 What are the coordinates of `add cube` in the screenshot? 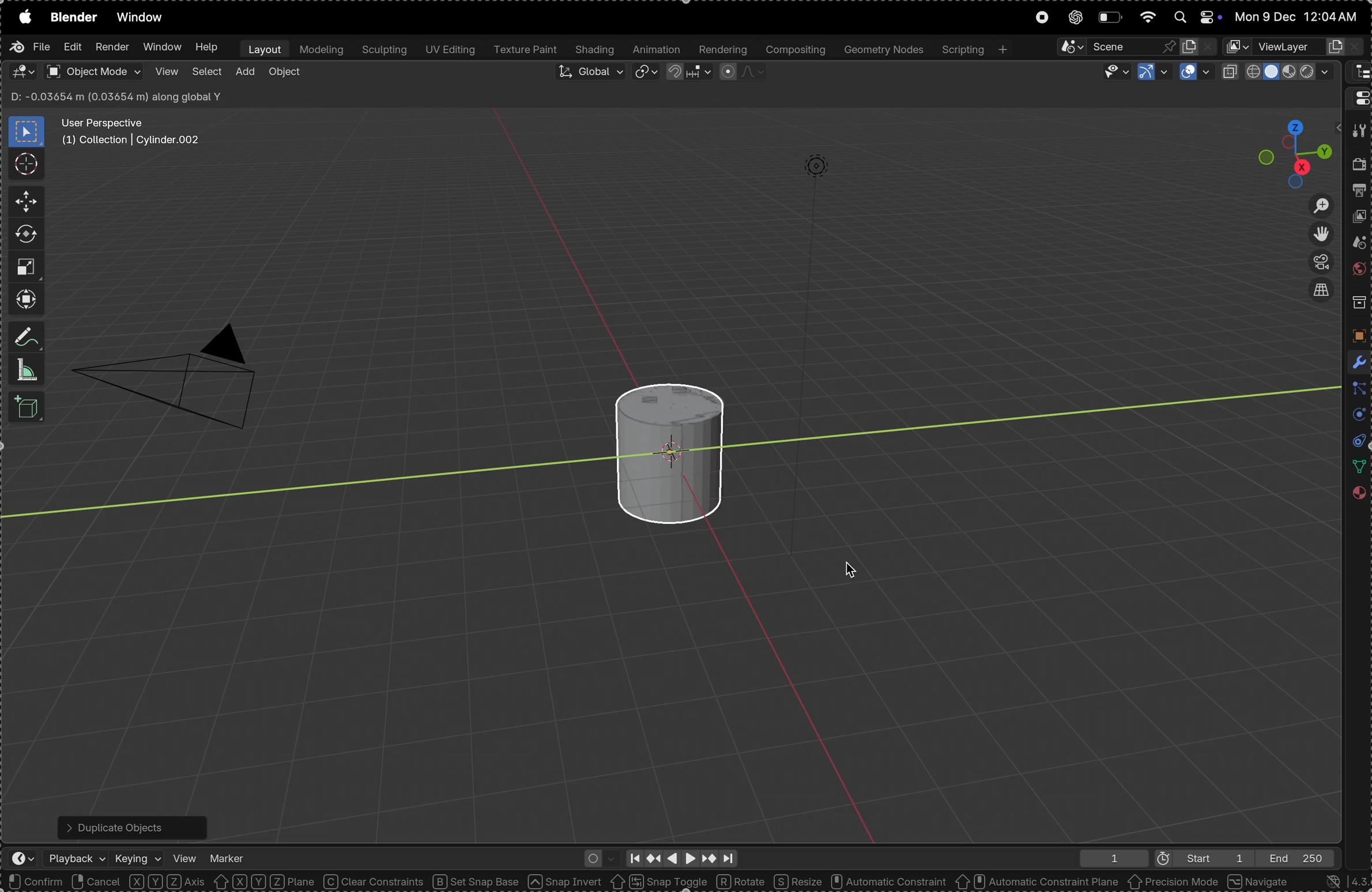 It's located at (29, 409).